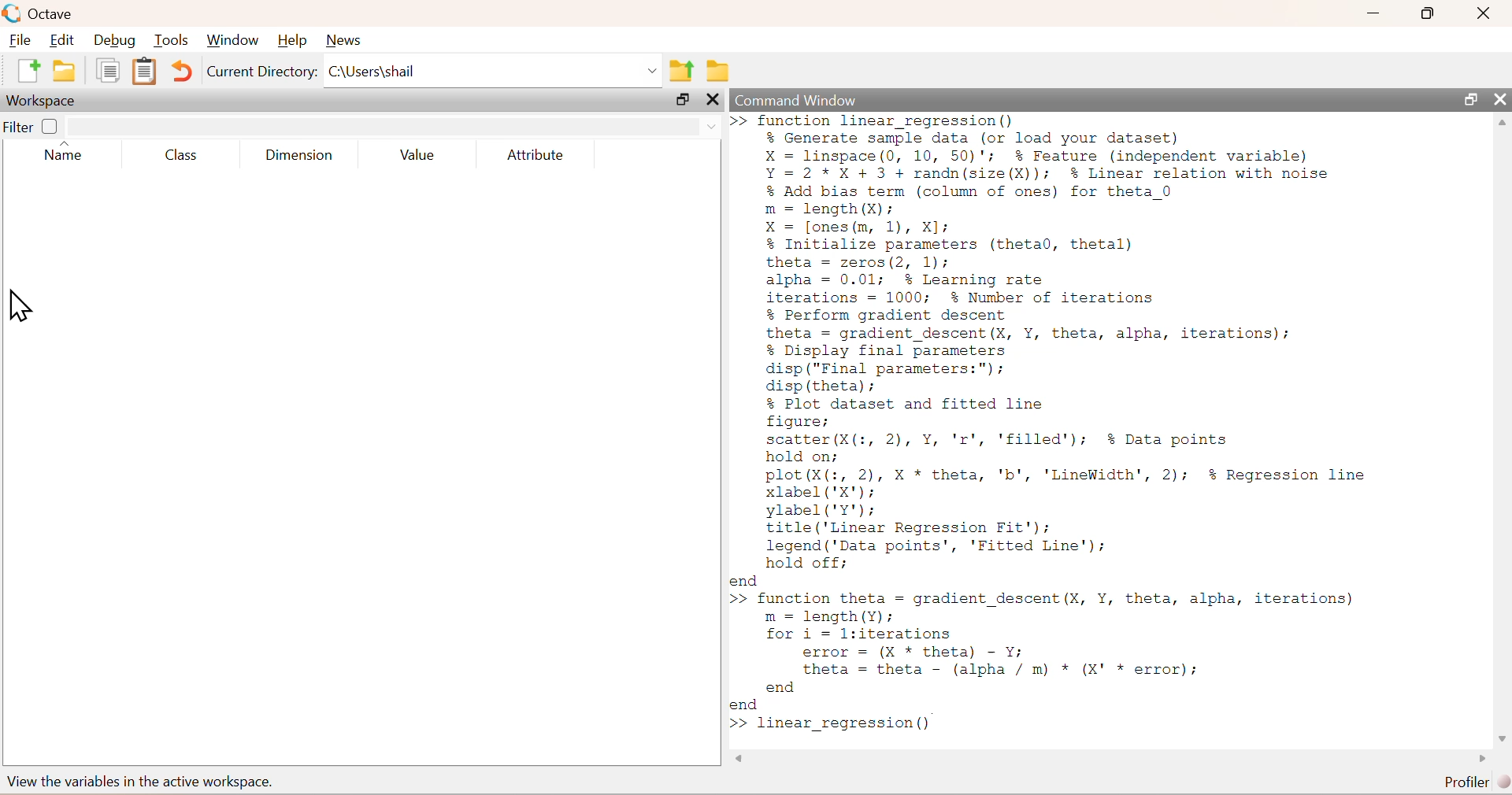 The width and height of the screenshot is (1512, 795). Describe the element at coordinates (115, 39) in the screenshot. I see `Debug` at that location.